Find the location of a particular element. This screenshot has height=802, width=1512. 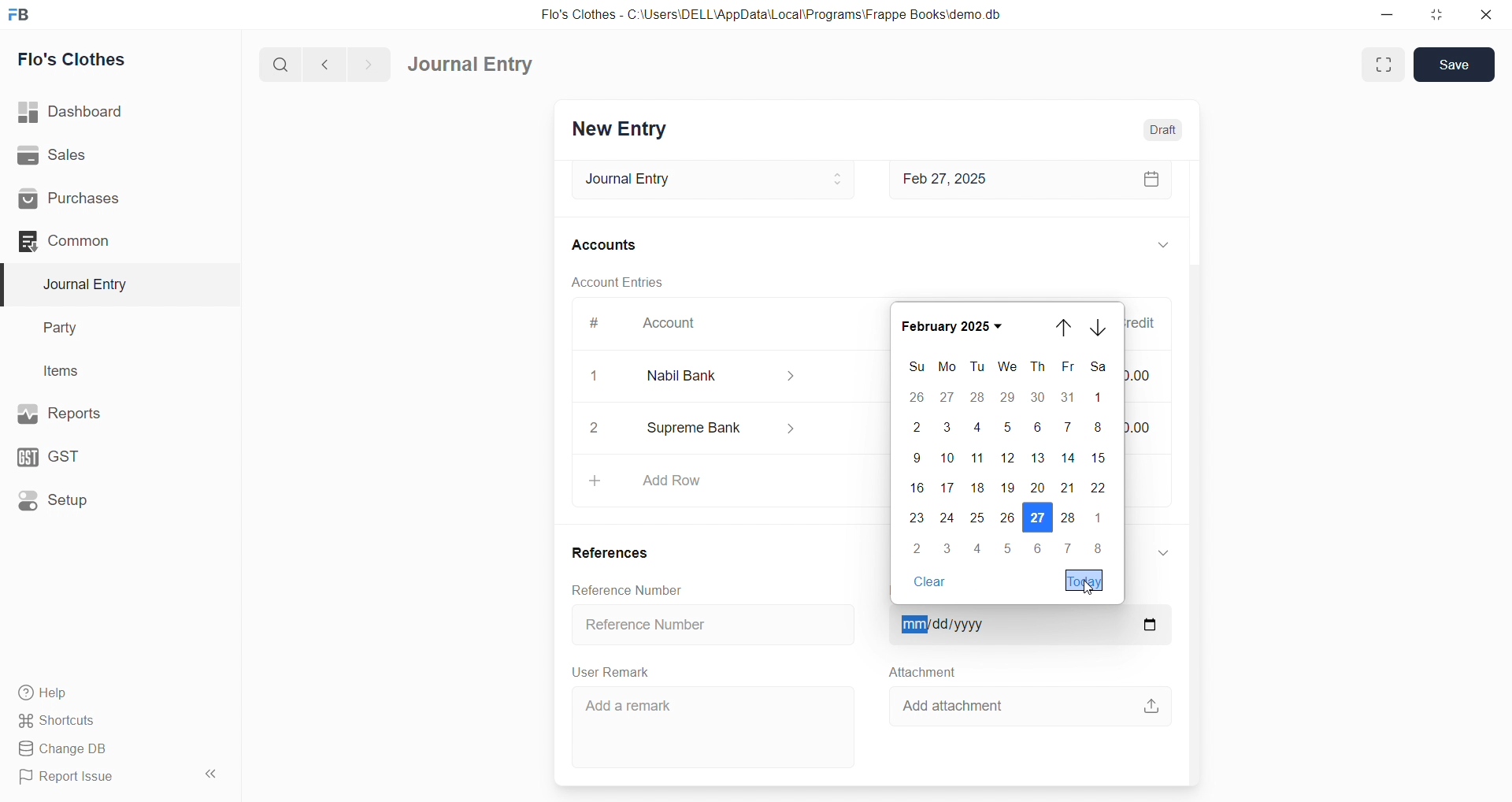

3 is located at coordinates (947, 427).